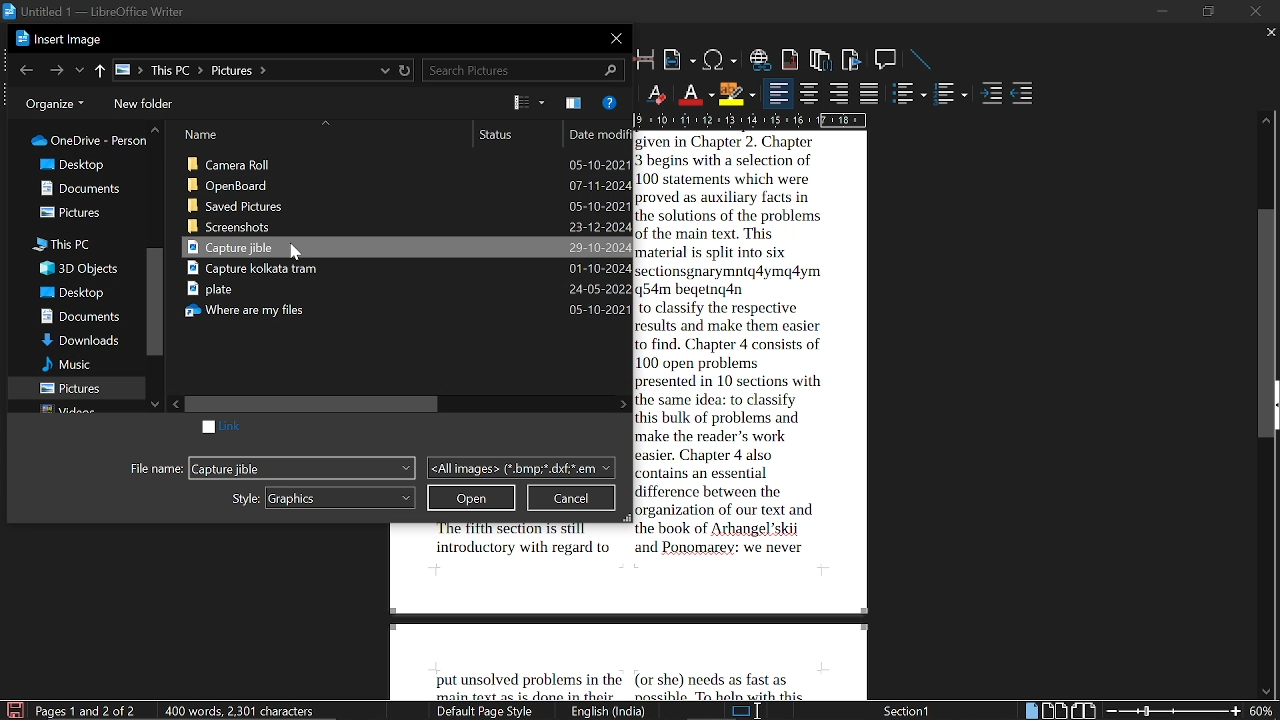 This screenshot has width=1280, height=720. What do you see at coordinates (24, 70) in the screenshot?
I see `previous` at bounding box center [24, 70].